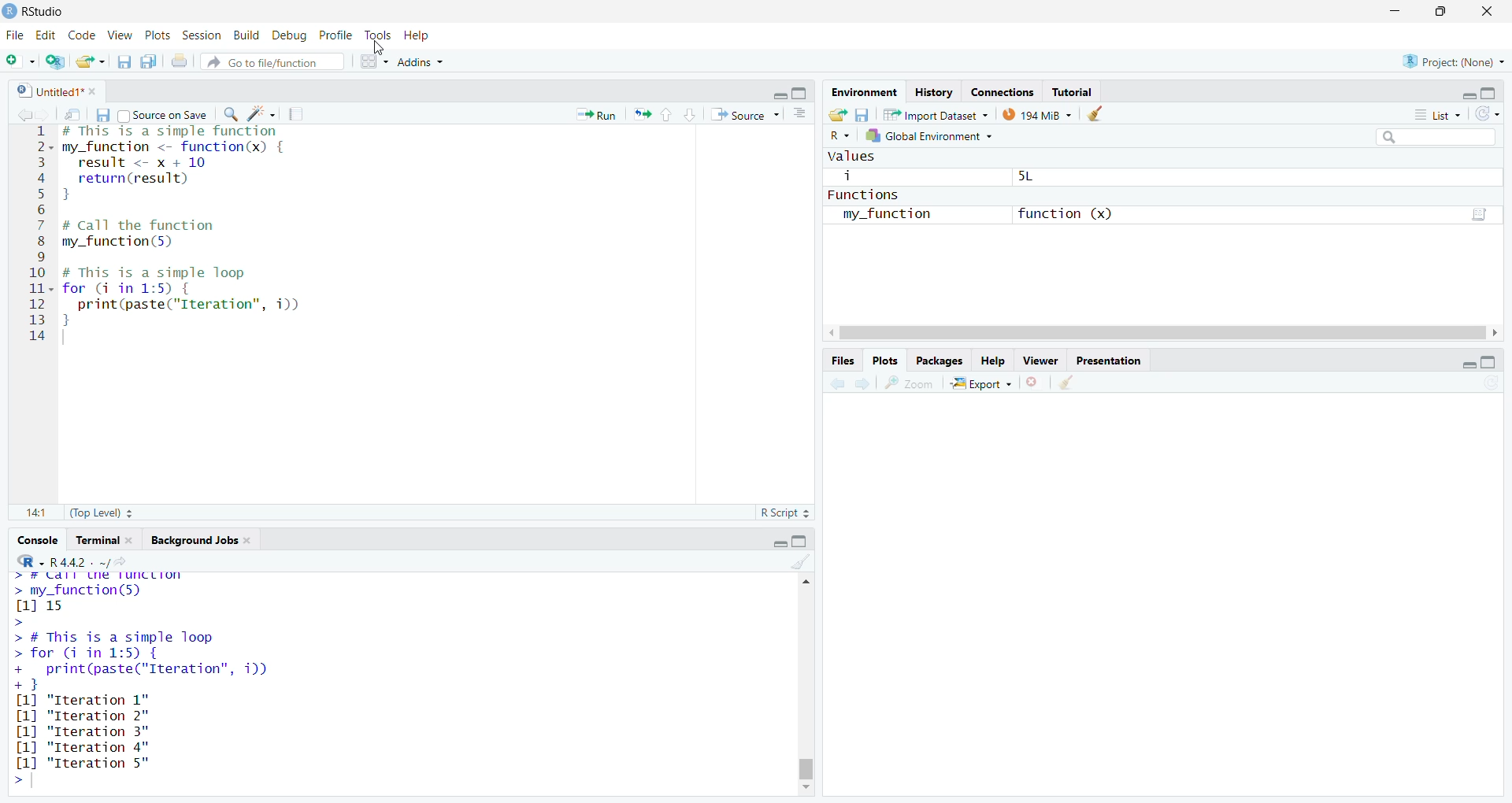  Describe the element at coordinates (934, 91) in the screenshot. I see `History` at that location.